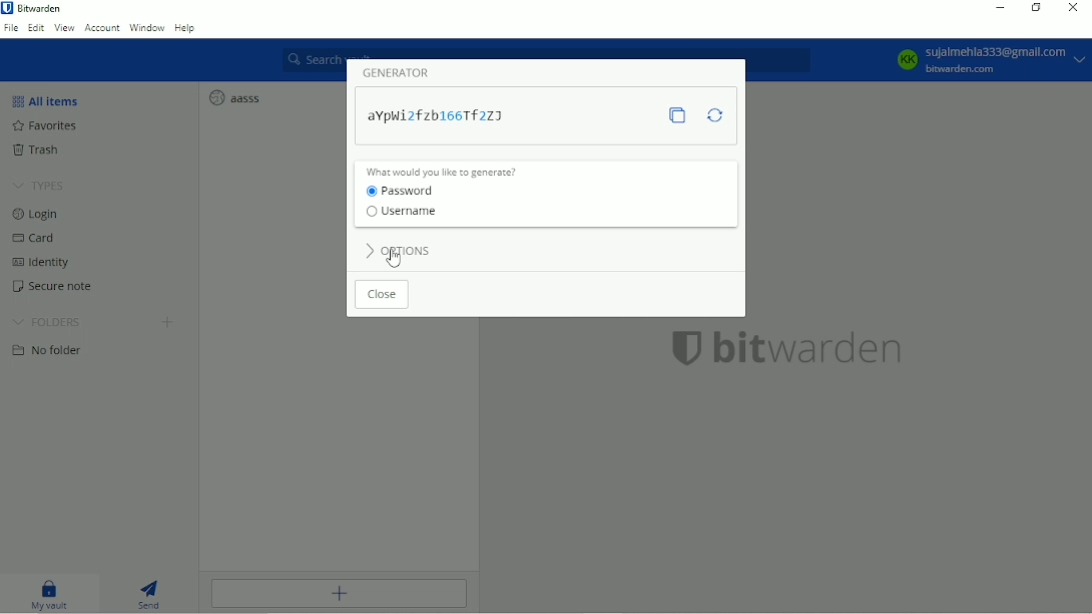 This screenshot has width=1092, height=614. I want to click on Help, so click(185, 29).